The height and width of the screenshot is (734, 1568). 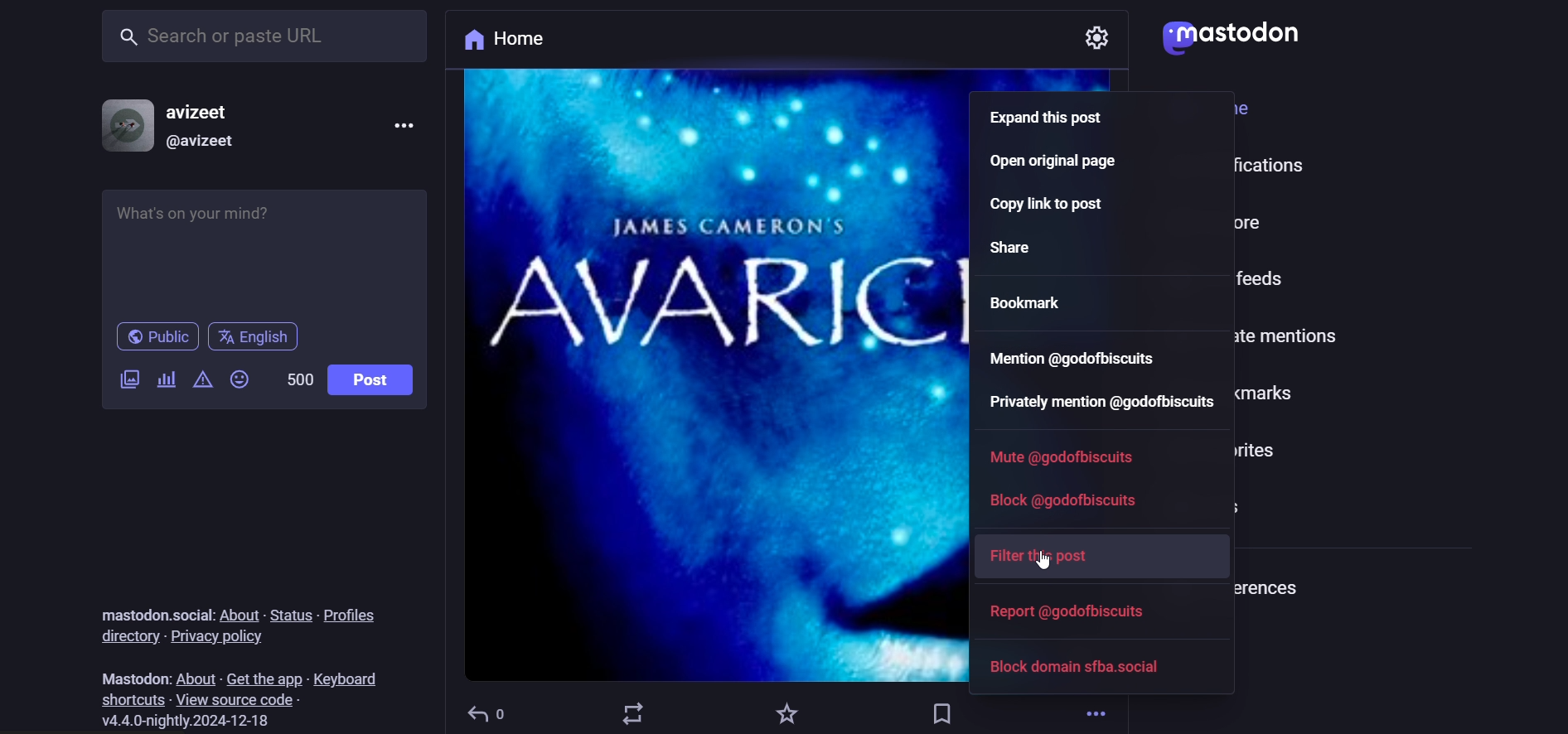 I want to click on version, so click(x=181, y=722).